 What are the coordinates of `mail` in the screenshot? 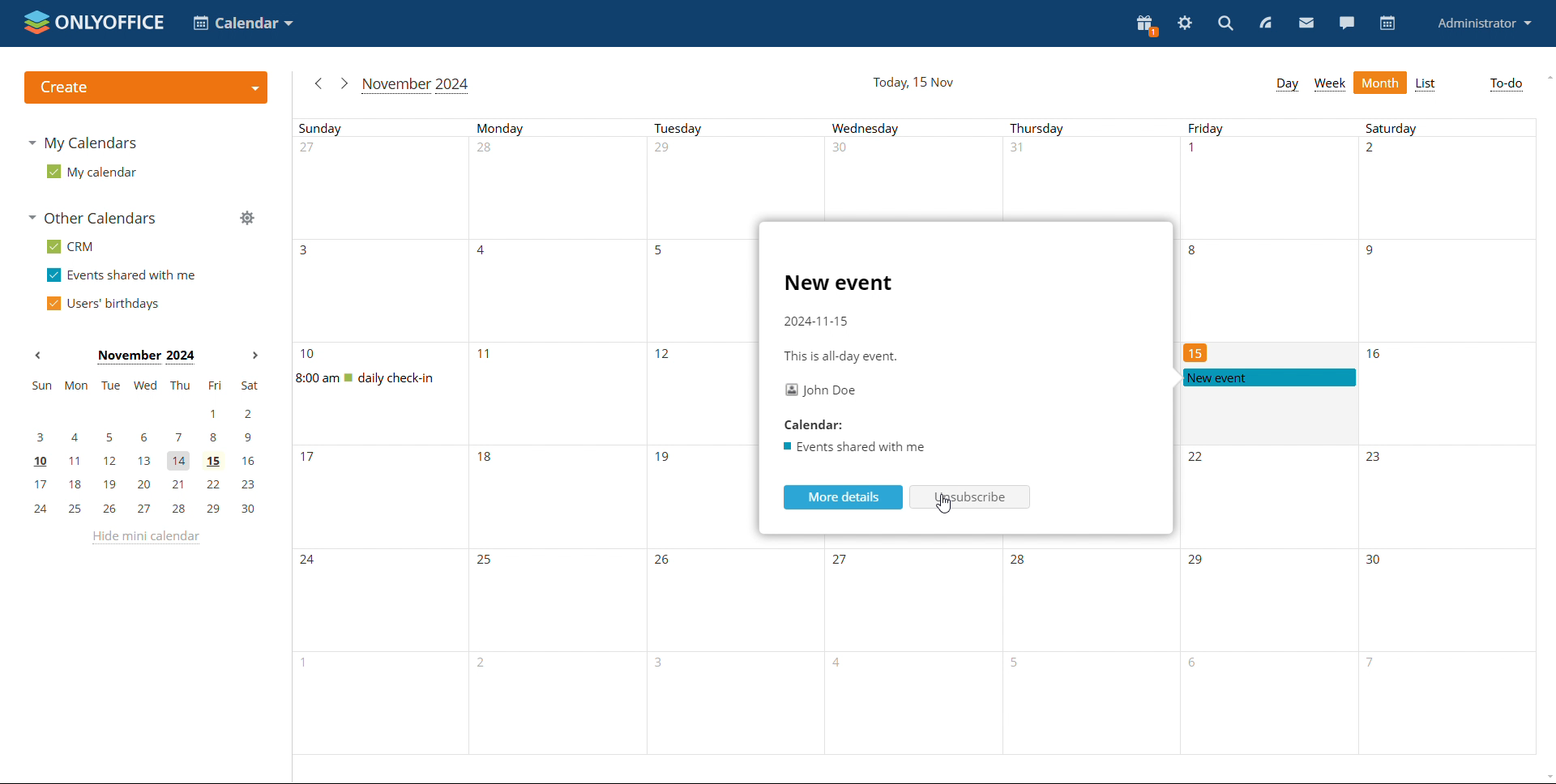 It's located at (1306, 23).